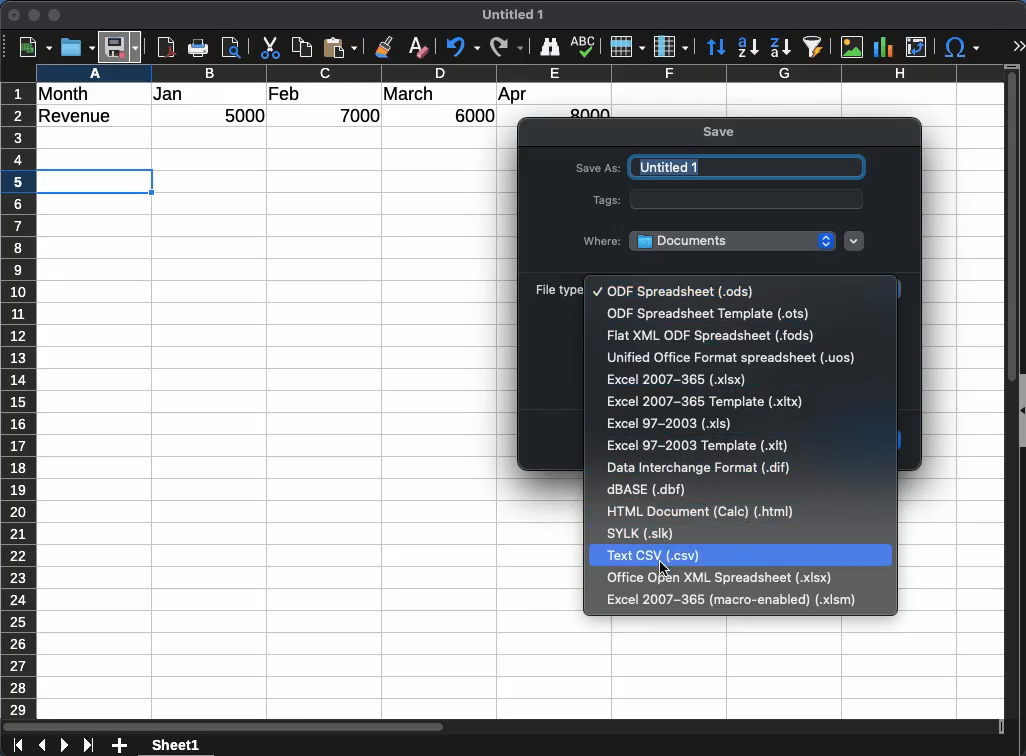 The width and height of the screenshot is (1026, 756). What do you see at coordinates (700, 445) in the screenshot?
I see `Excel 97-2003 template` at bounding box center [700, 445].